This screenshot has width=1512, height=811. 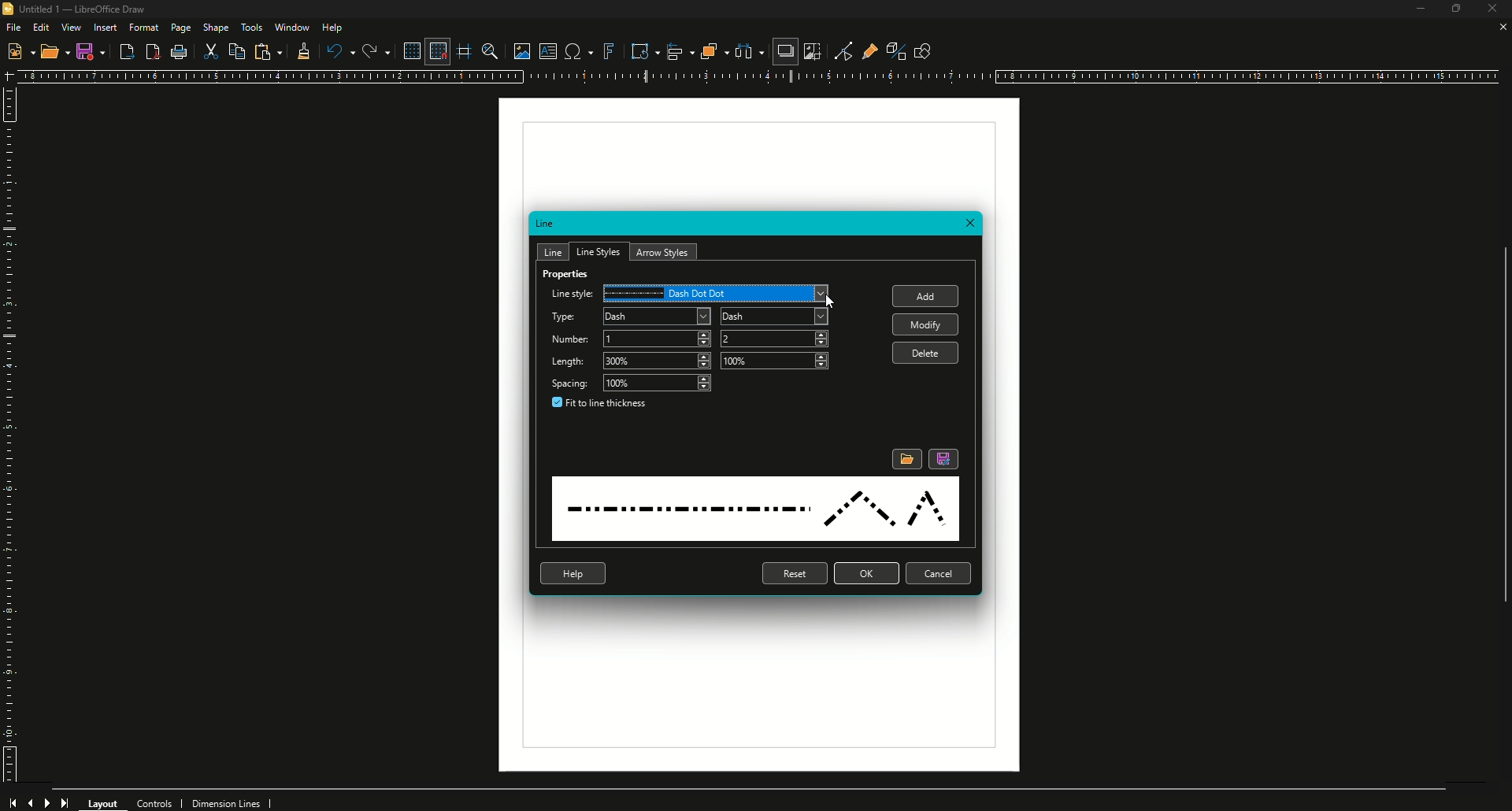 What do you see at coordinates (928, 354) in the screenshot?
I see `Delete` at bounding box center [928, 354].